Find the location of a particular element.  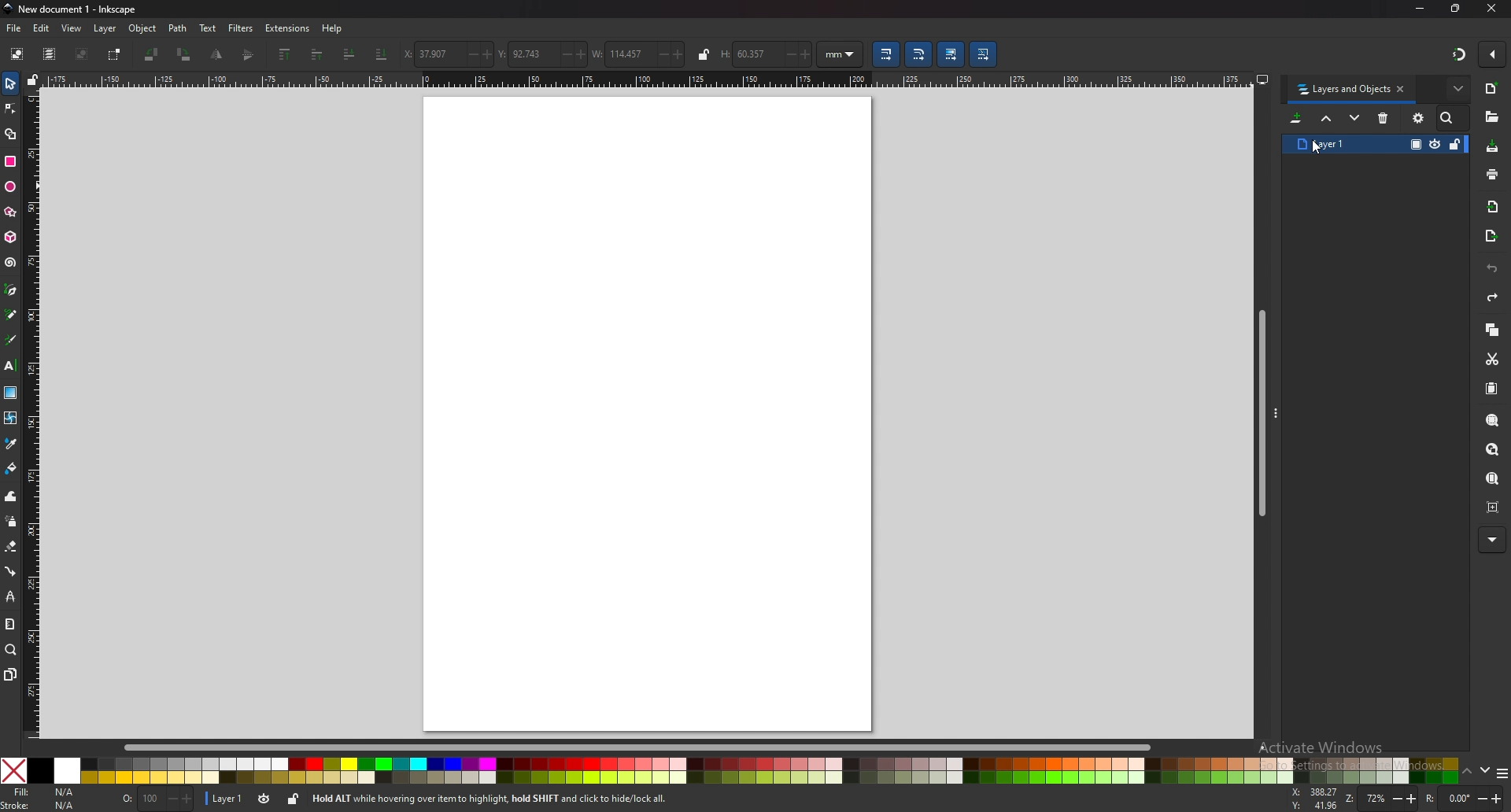

x coordinates is located at coordinates (427, 54).